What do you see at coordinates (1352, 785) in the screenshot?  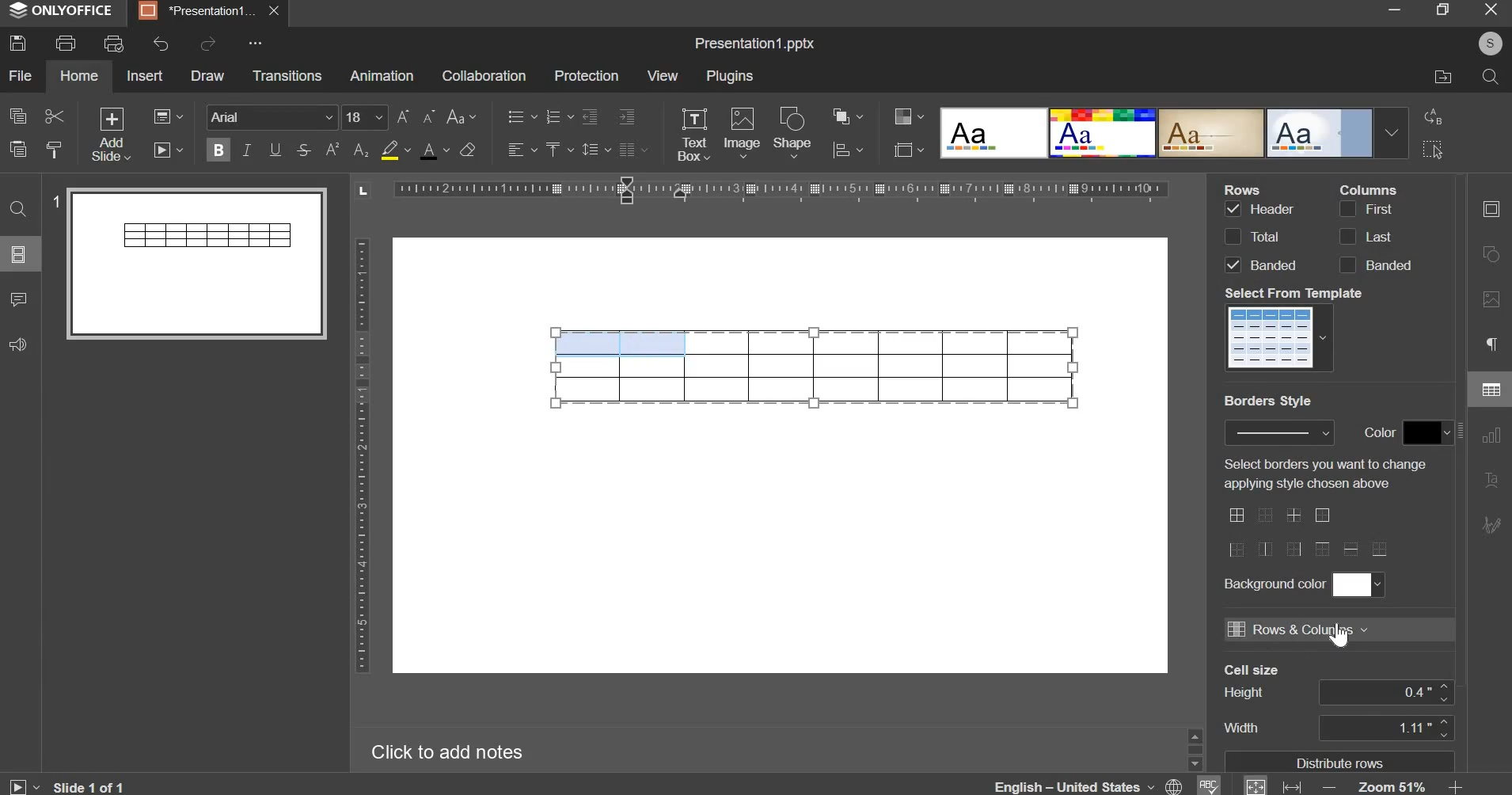 I see `zoom & fit` at bounding box center [1352, 785].